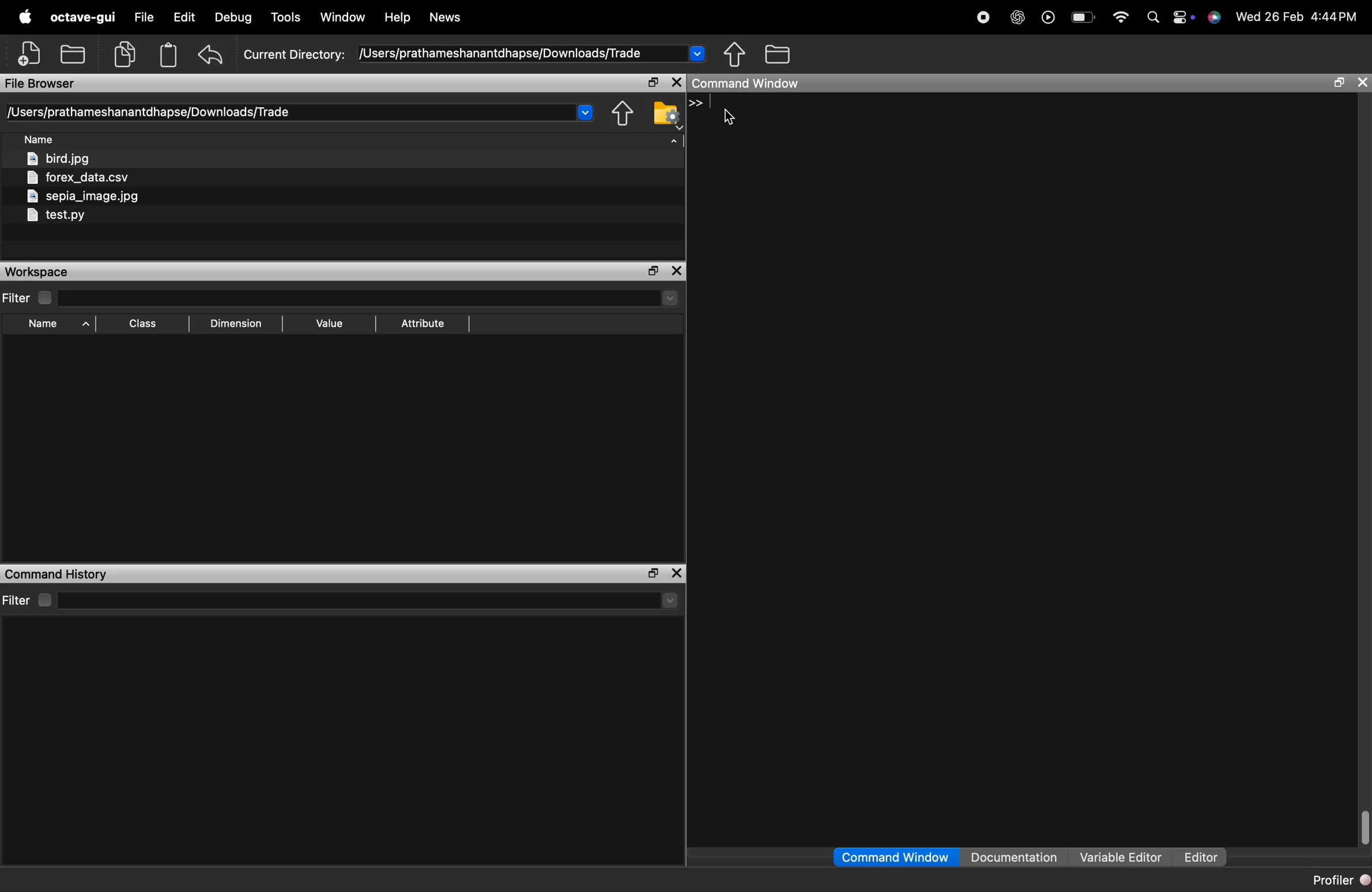 The height and width of the screenshot is (892, 1372). What do you see at coordinates (210, 55) in the screenshot?
I see `undo` at bounding box center [210, 55].